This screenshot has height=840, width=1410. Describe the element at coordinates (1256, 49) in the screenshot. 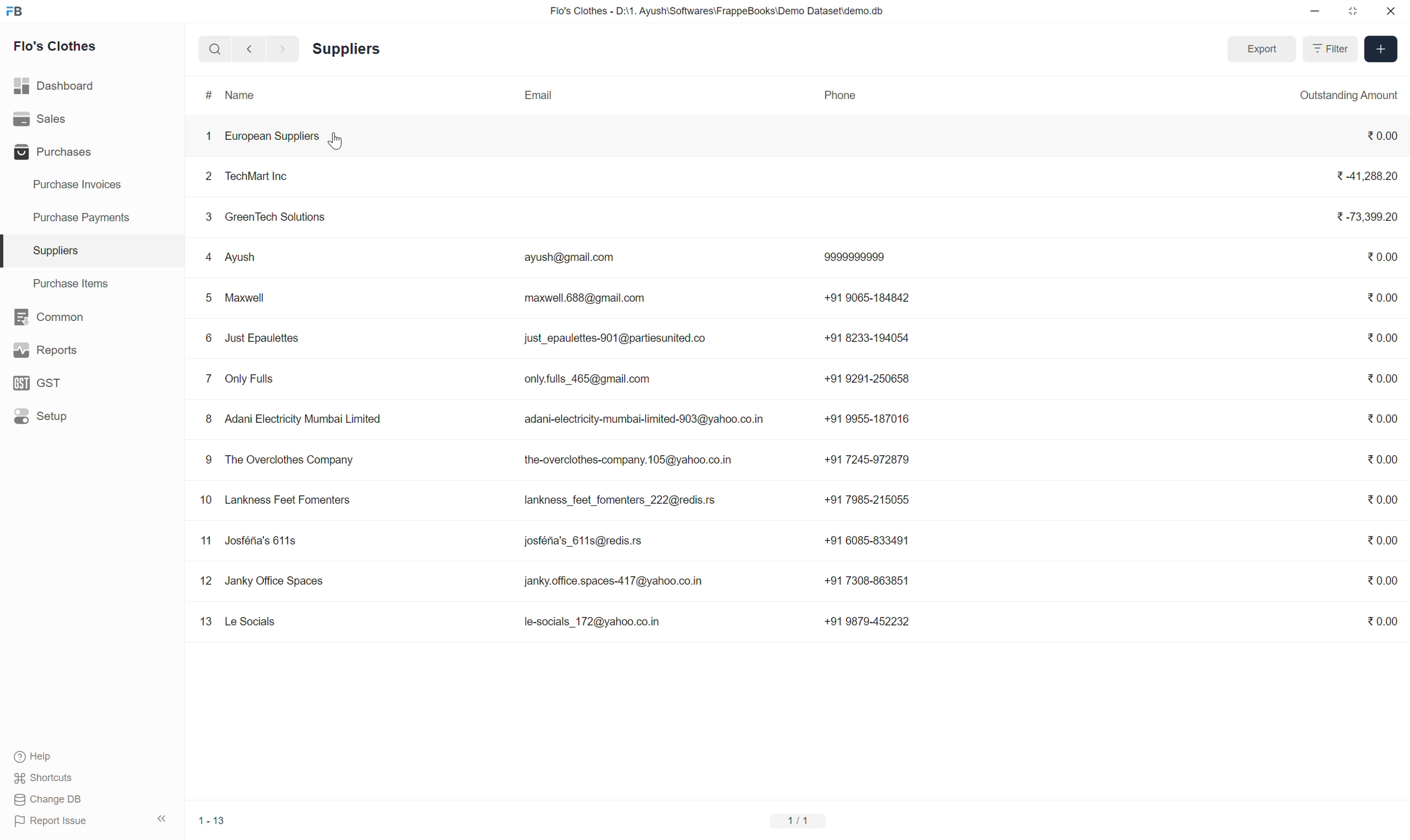

I see `Export` at that location.